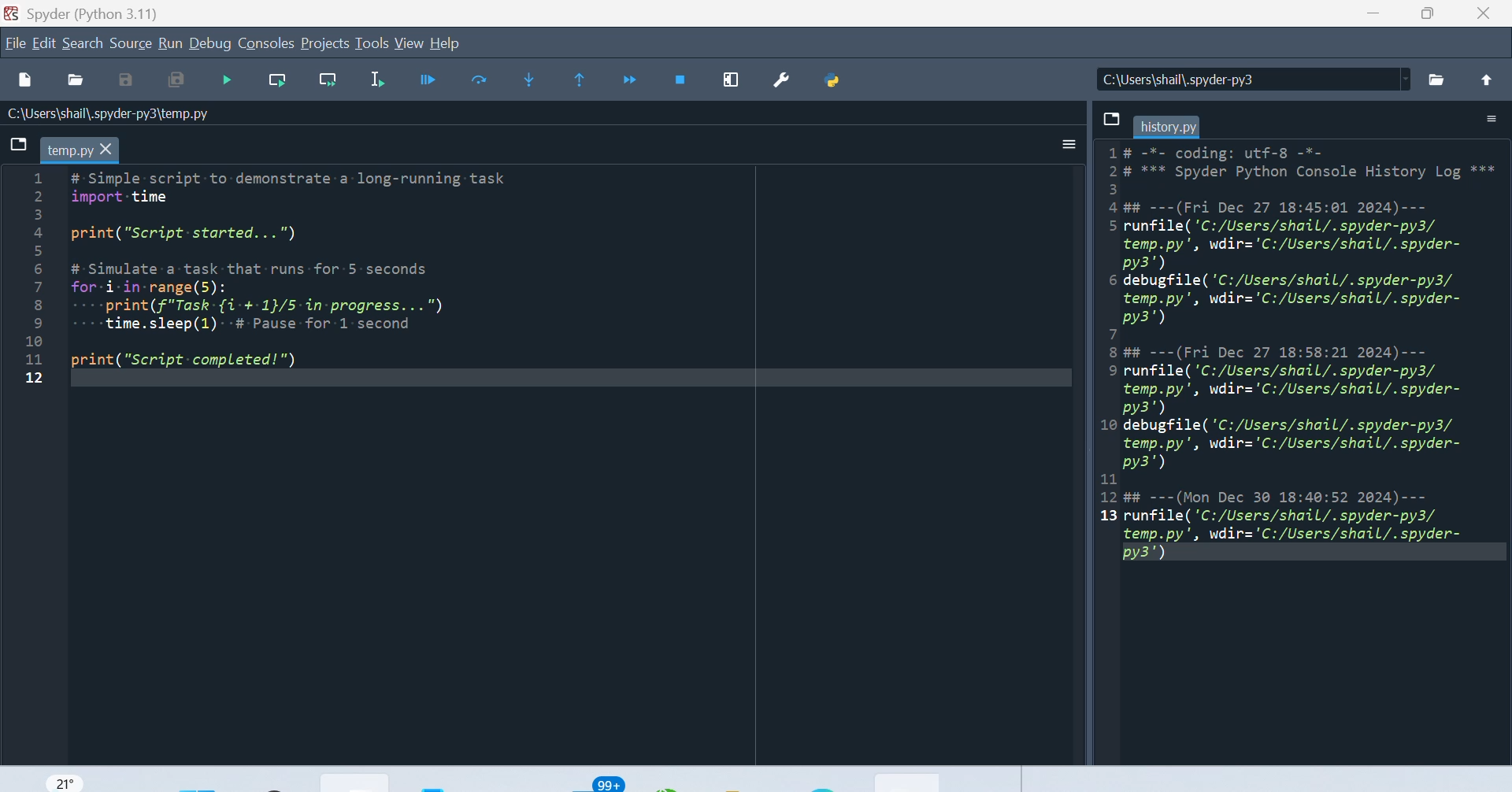 The image size is (1512, 792). What do you see at coordinates (332, 277) in the screenshot?
I see `No Ty) 7 up Ch SETAE SESSRNUPTTL SY Sach SH Stl SH LE STAND 1 SUES SS Sama
import time

print ("Script started... ")

# Simulate a task that runs for 5 seconds
for-i-in-range(5):

-+--print(f"Task-{i-+:1}/5 in-progress...")
----time.sleep(1)- -# Pause for 1 second

print ("Script completed! ")` at bounding box center [332, 277].